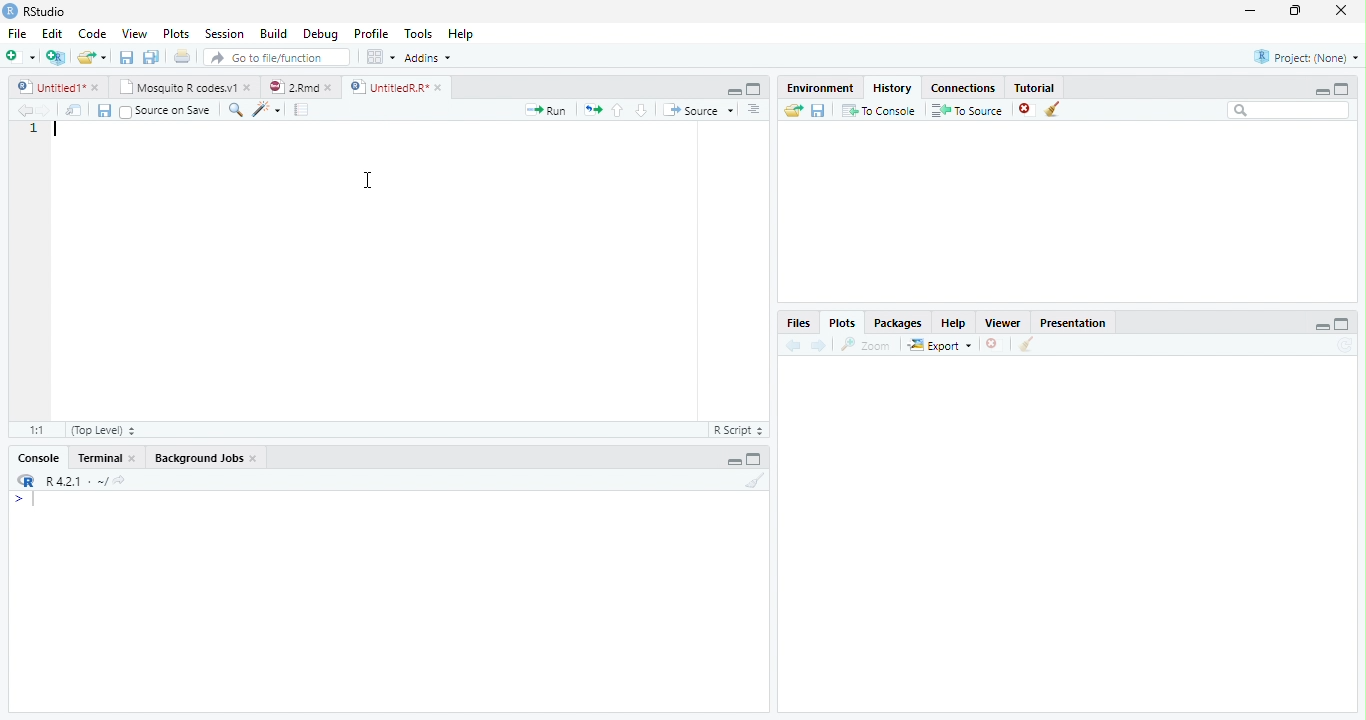 The height and width of the screenshot is (720, 1366). I want to click on compile report, so click(302, 111).